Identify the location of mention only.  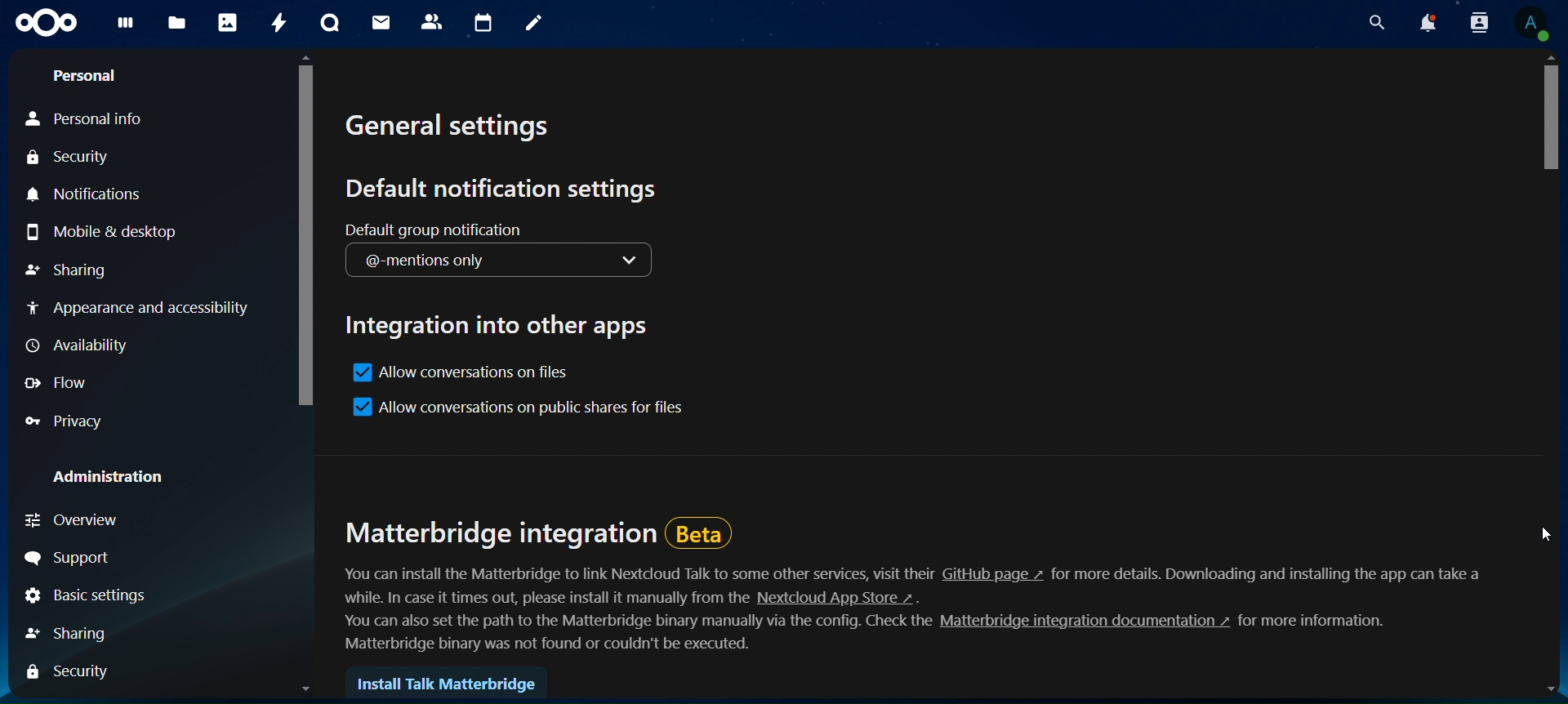
(499, 261).